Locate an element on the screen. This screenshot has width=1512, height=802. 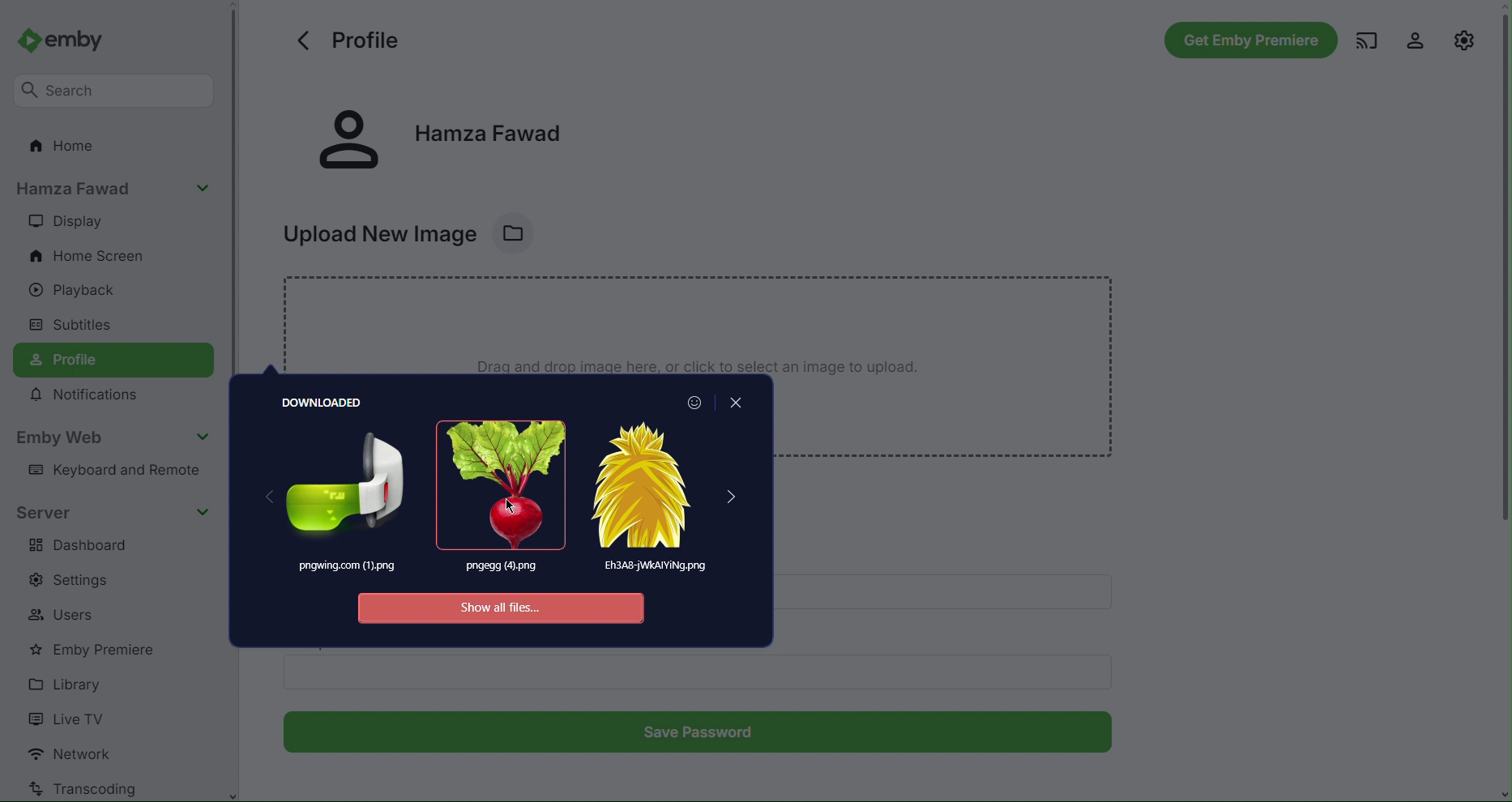
Dashboard is located at coordinates (83, 548).